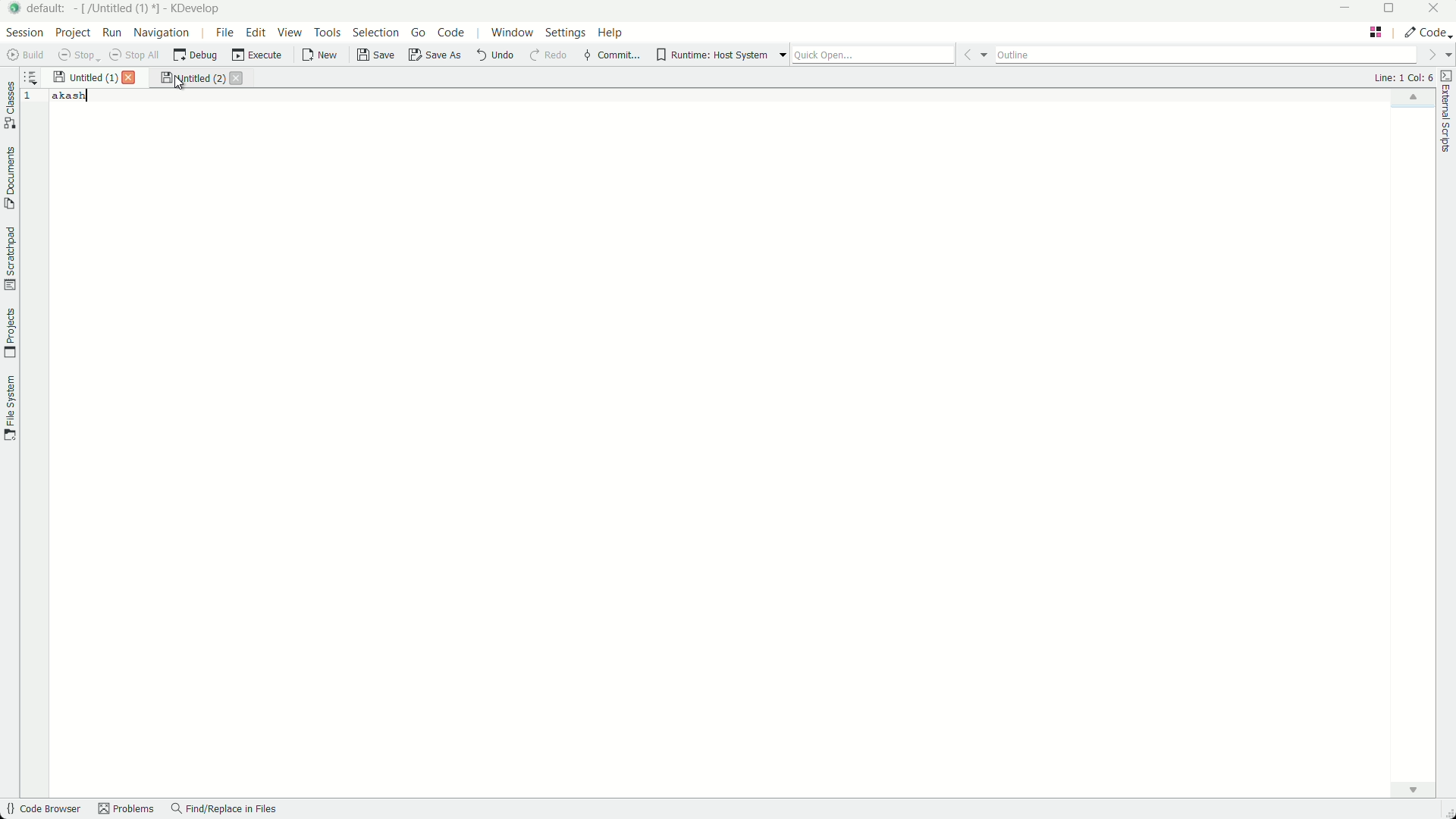  What do you see at coordinates (127, 811) in the screenshot?
I see `problems` at bounding box center [127, 811].